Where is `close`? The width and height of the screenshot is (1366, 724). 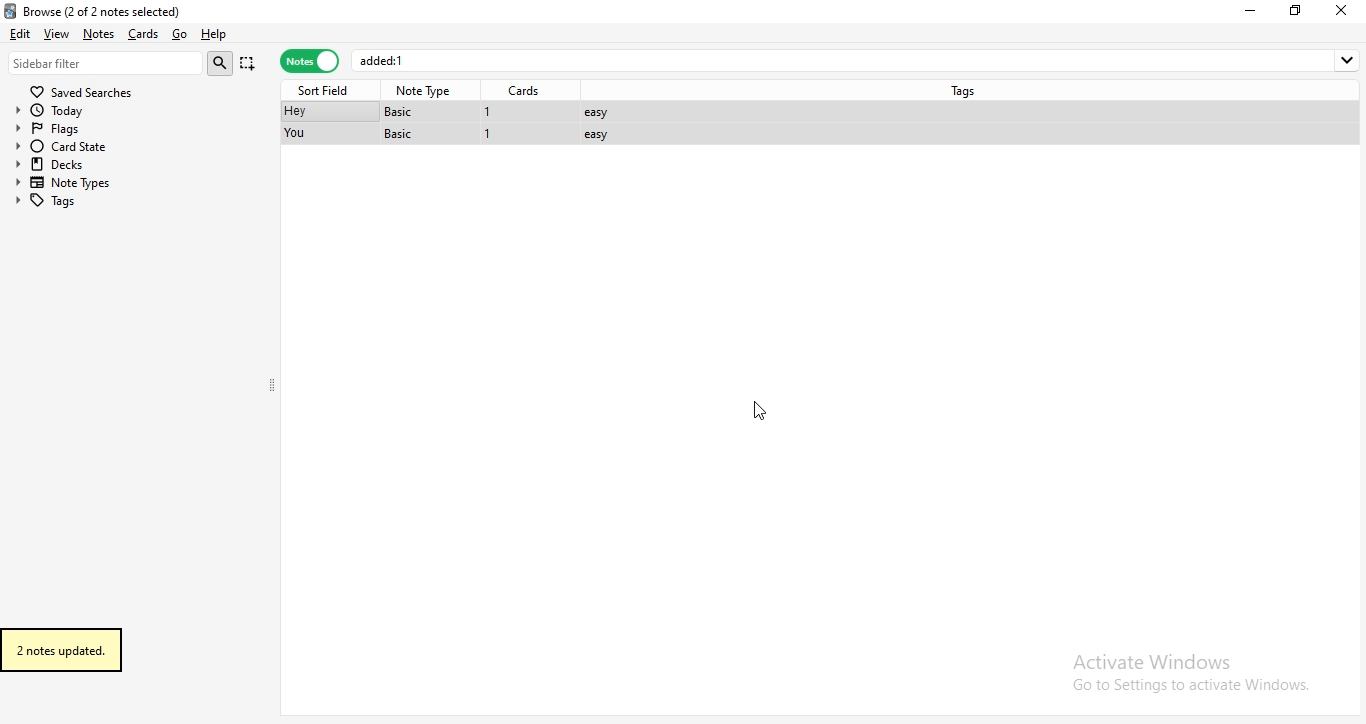
close is located at coordinates (1345, 10).